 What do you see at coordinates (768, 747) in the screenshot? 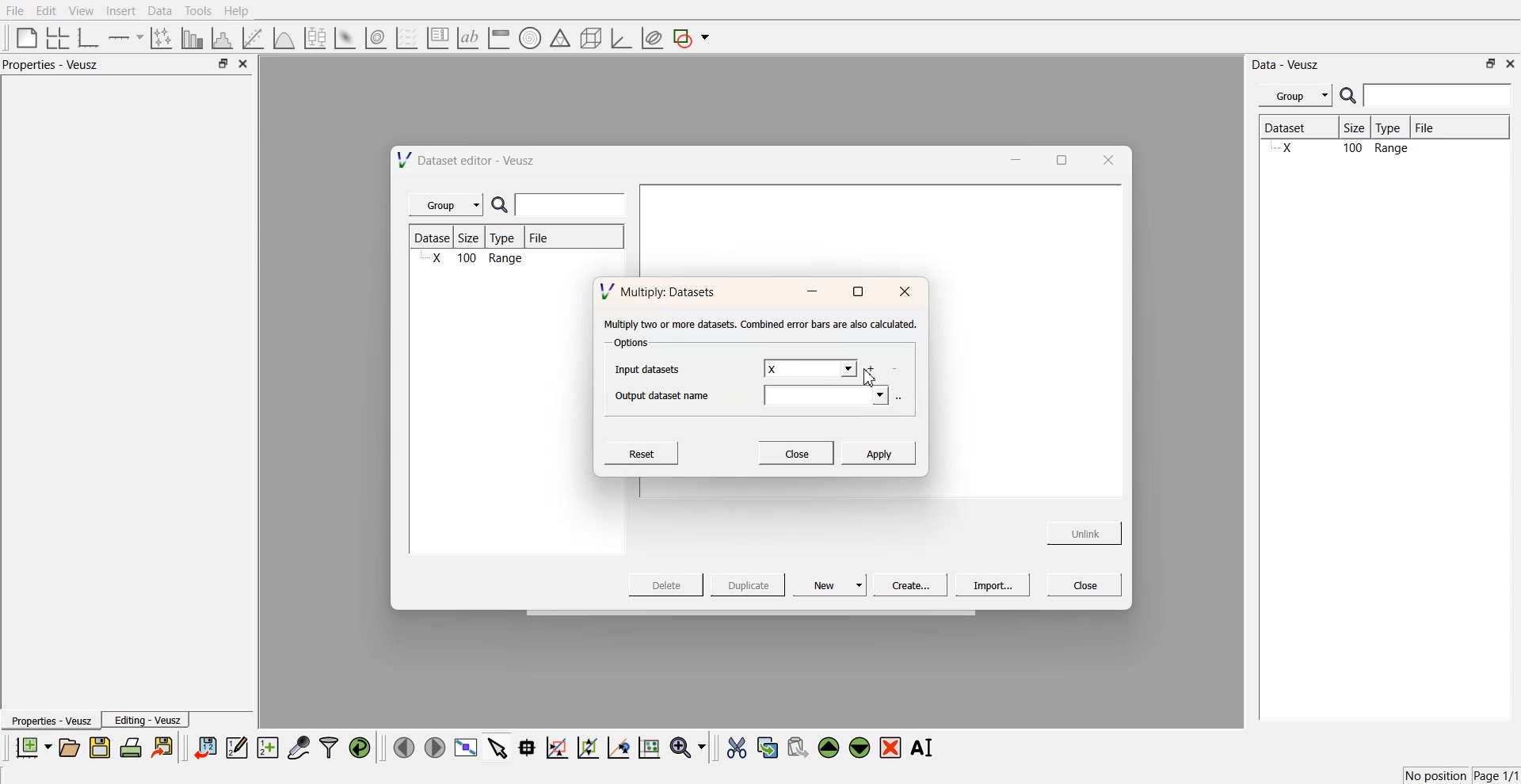
I see `copy the selected widgets` at bounding box center [768, 747].